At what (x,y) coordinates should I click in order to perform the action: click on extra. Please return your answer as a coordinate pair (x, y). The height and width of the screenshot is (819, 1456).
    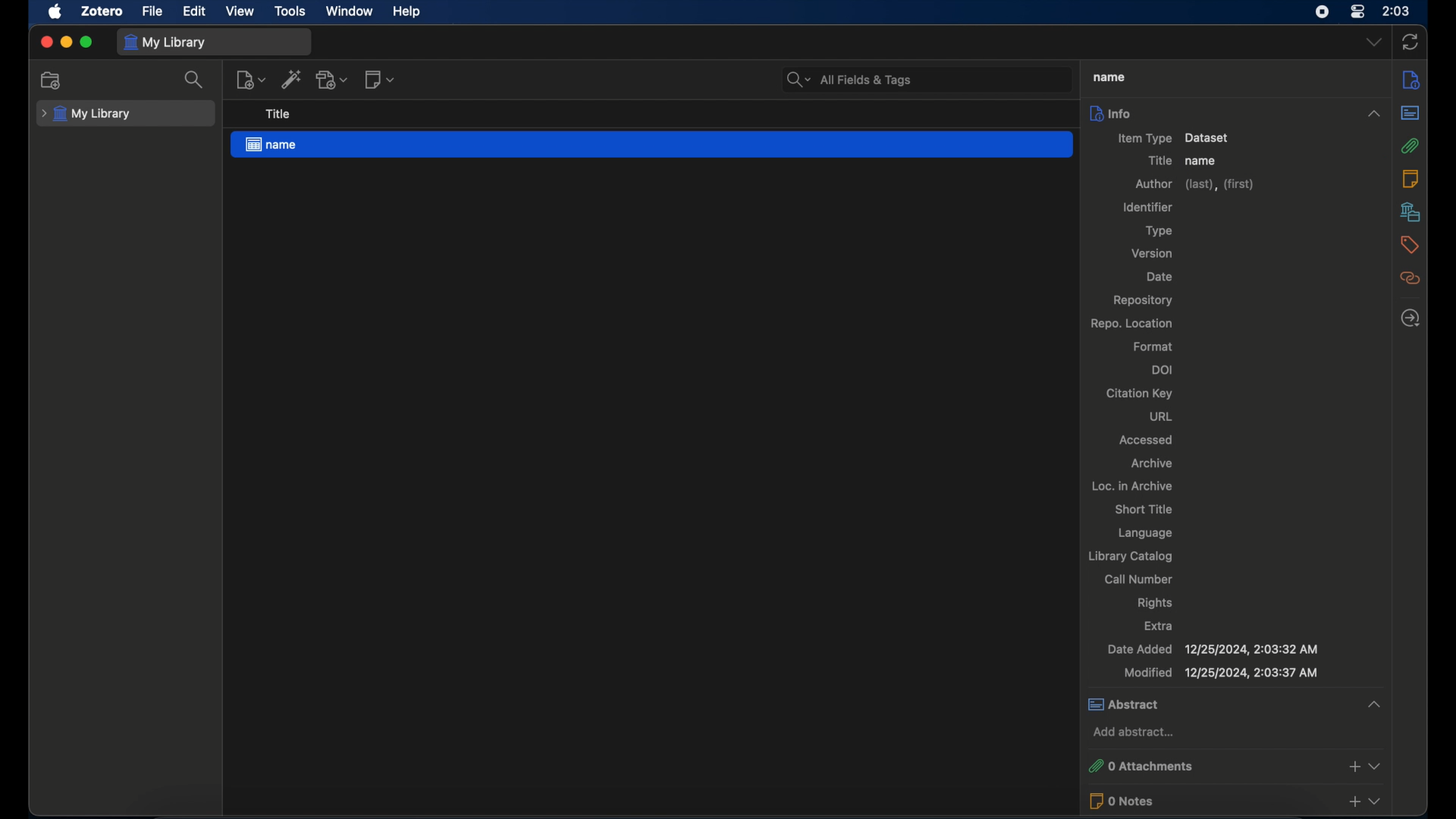
    Looking at the image, I should click on (1159, 625).